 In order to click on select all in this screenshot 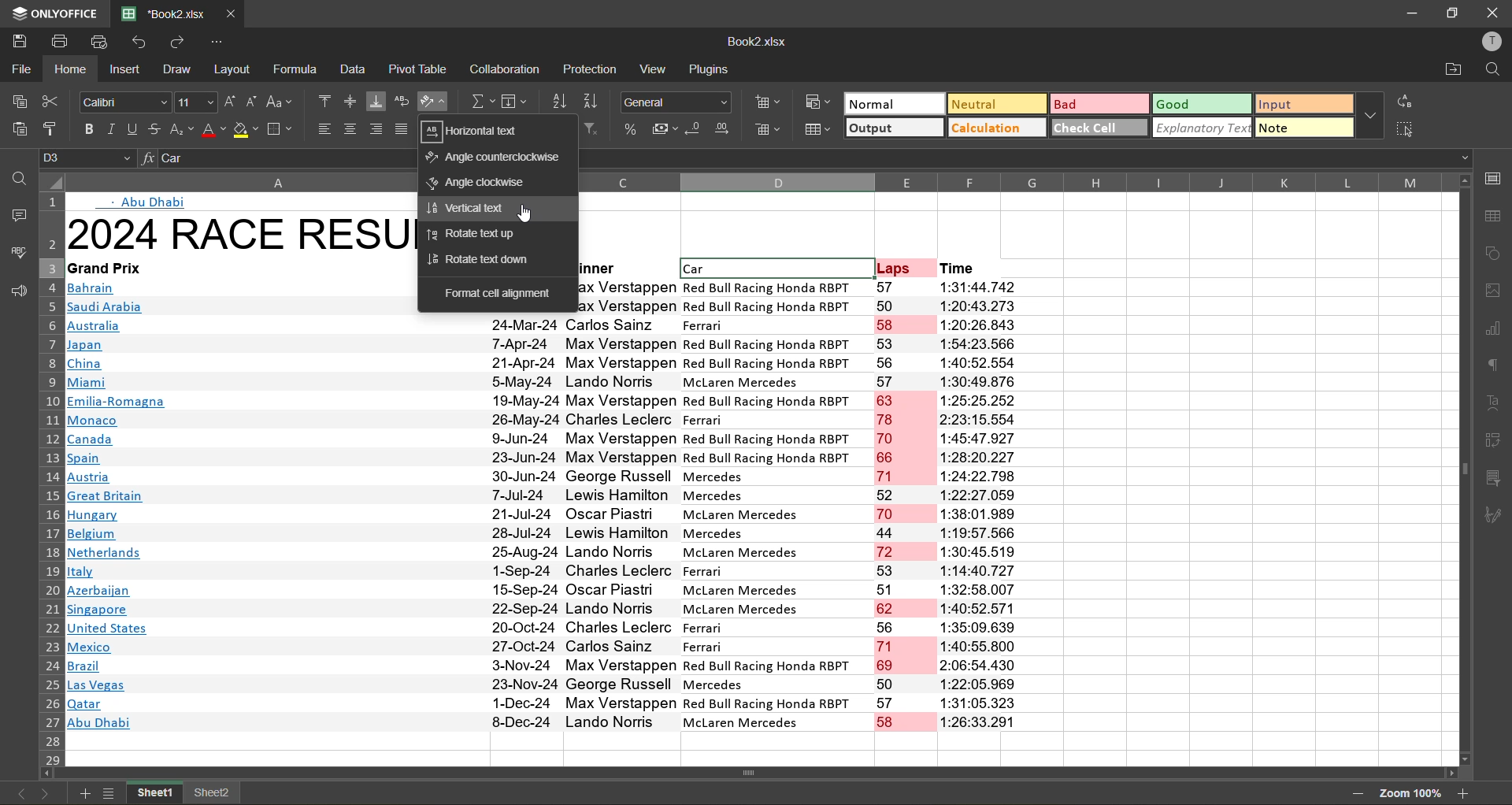, I will do `click(1400, 127)`.